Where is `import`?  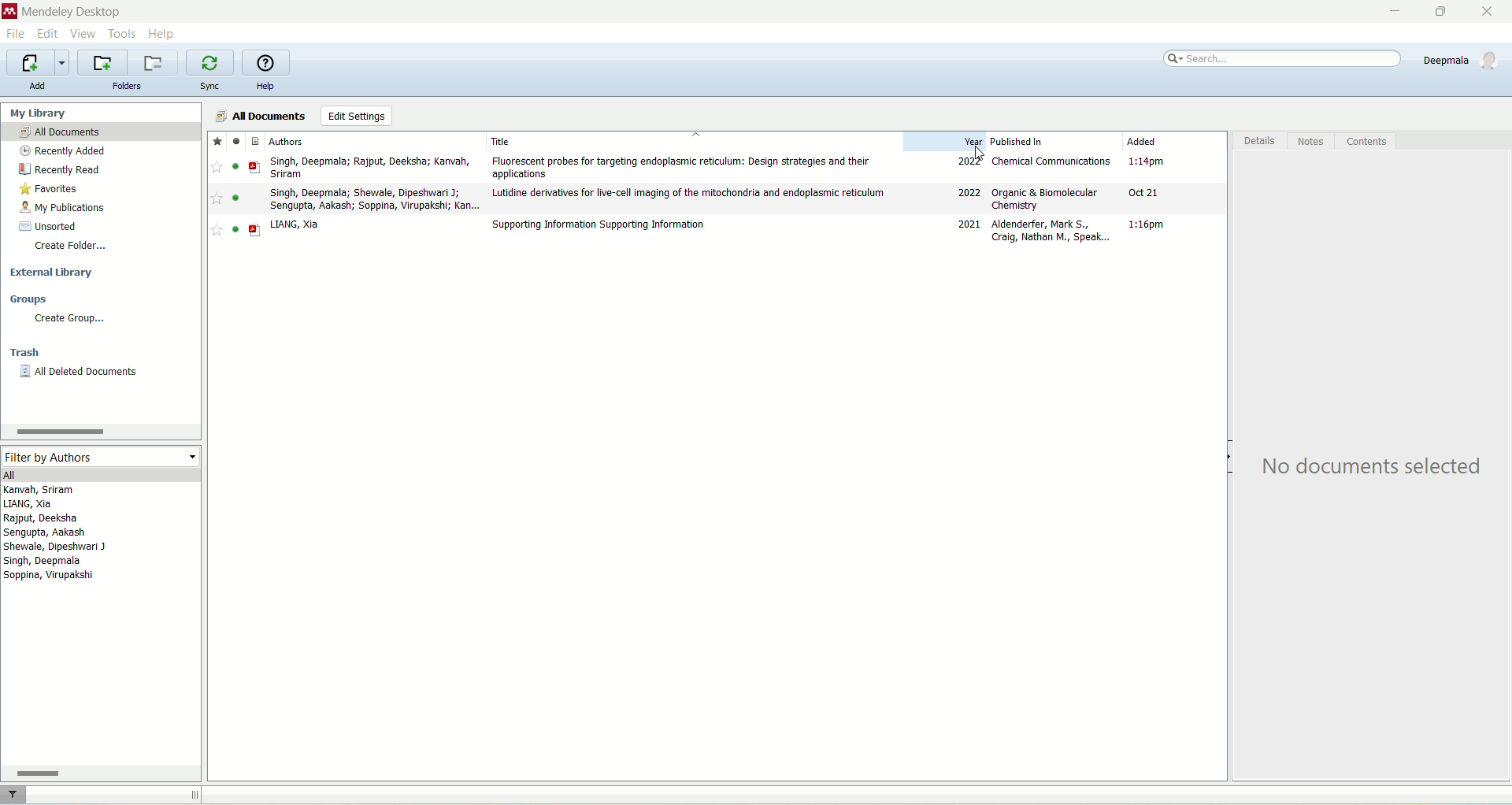
import is located at coordinates (38, 63).